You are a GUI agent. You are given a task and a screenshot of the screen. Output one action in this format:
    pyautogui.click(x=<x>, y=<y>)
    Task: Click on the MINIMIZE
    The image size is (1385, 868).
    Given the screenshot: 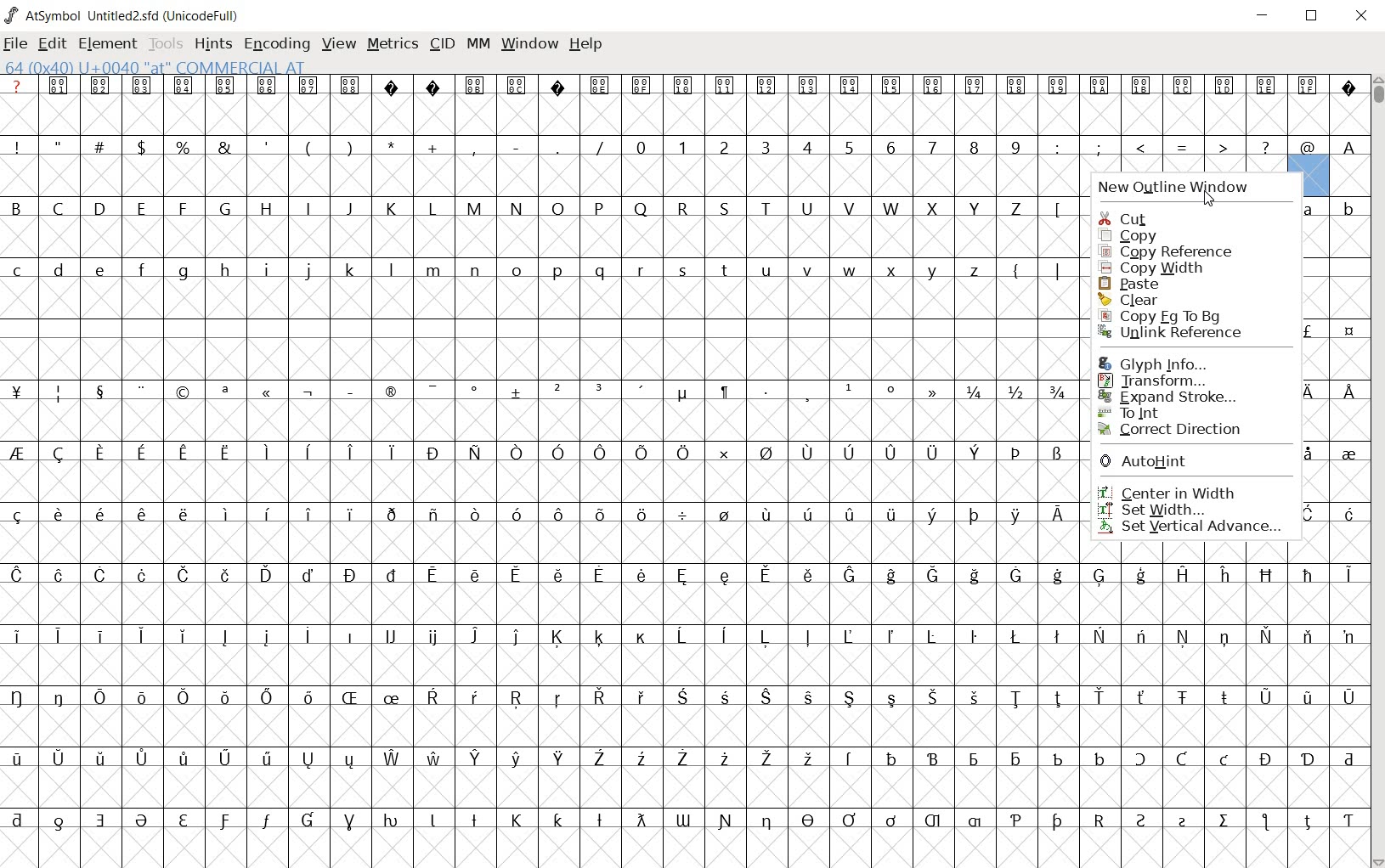 What is the action you would take?
    pyautogui.click(x=1267, y=20)
    